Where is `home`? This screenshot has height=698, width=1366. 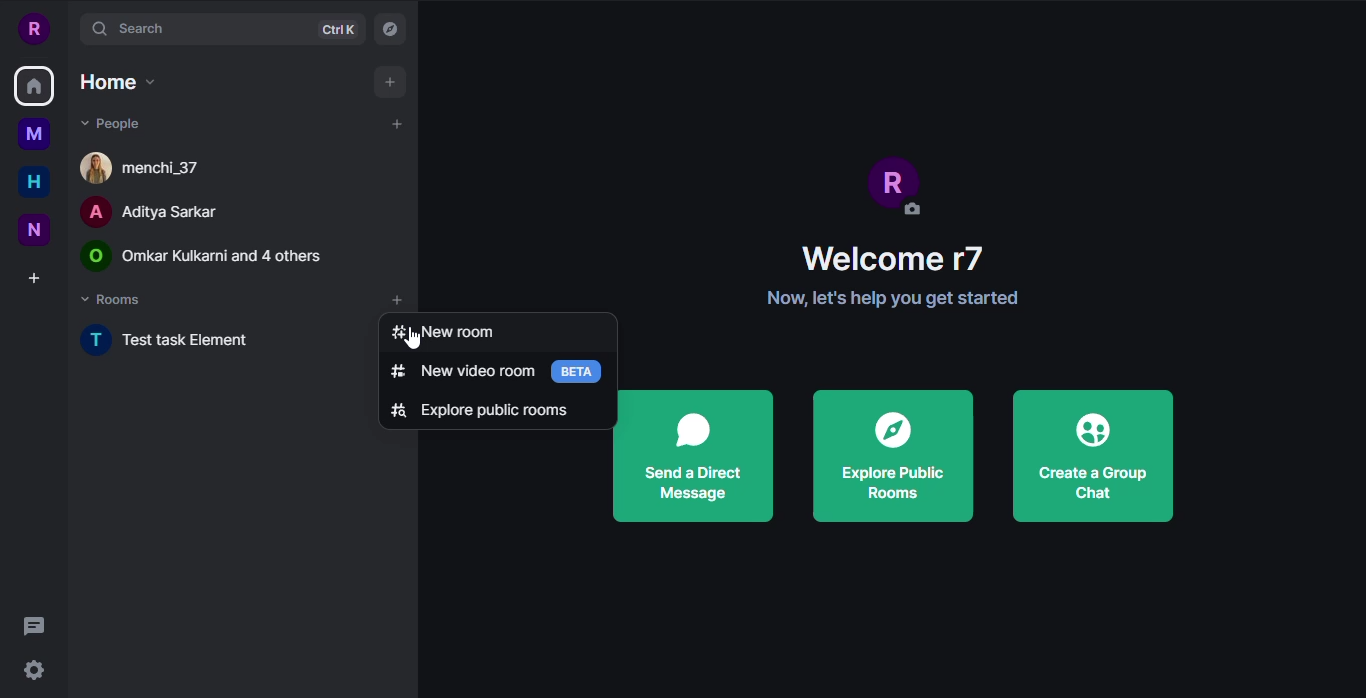 home is located at coordinates (34, 181).